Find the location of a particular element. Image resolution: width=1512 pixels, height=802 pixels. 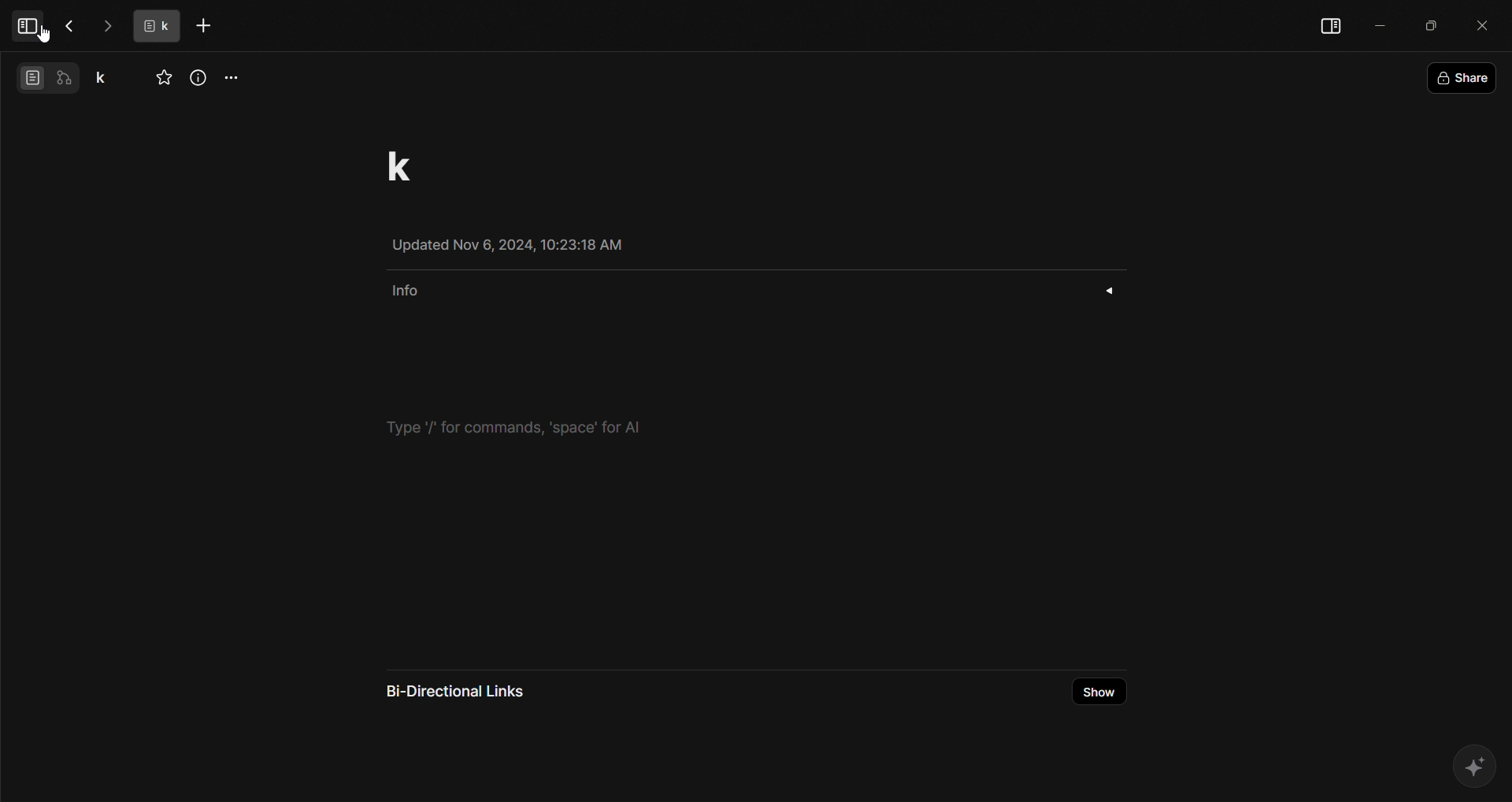

bi-directional links is located at coordinates (450, 694).